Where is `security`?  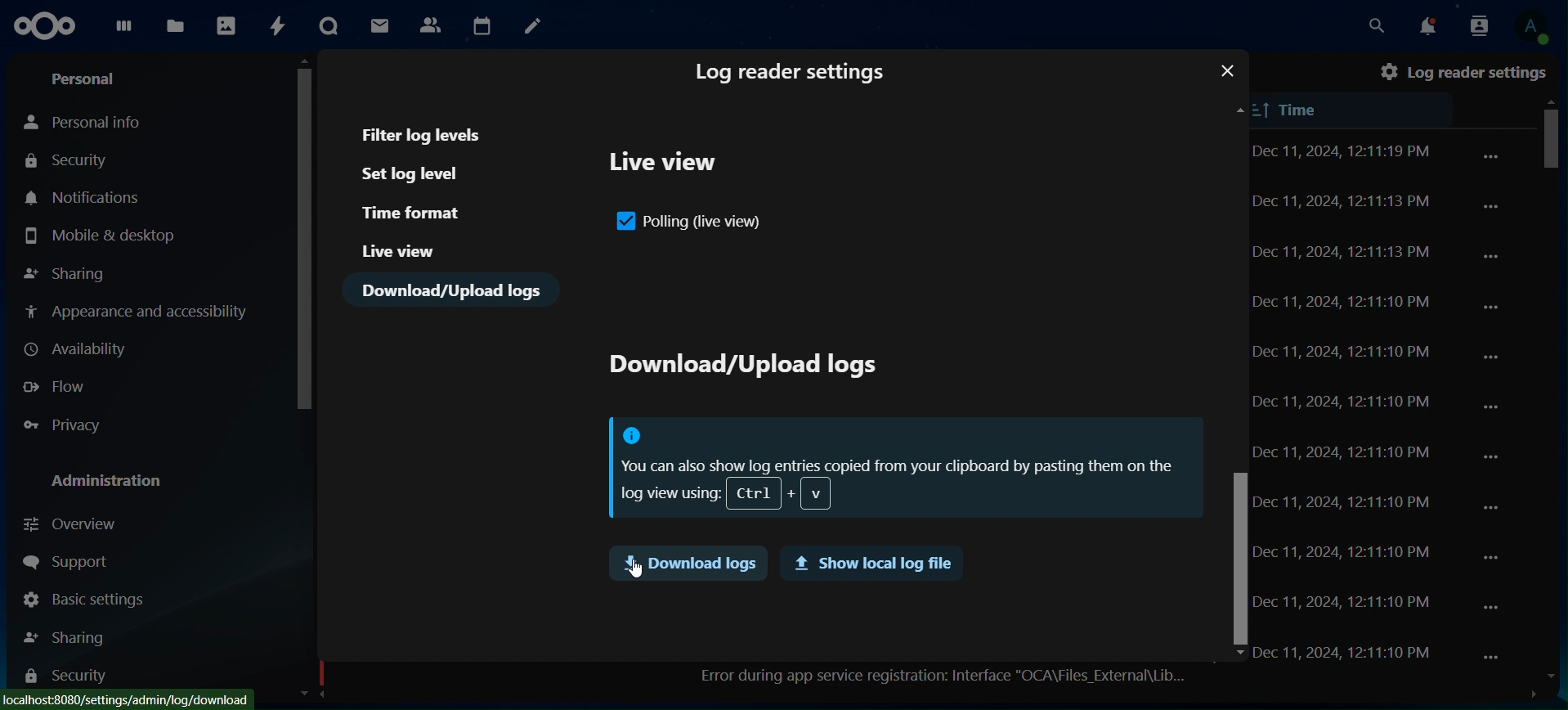 security is located at coordinates (65, 679).